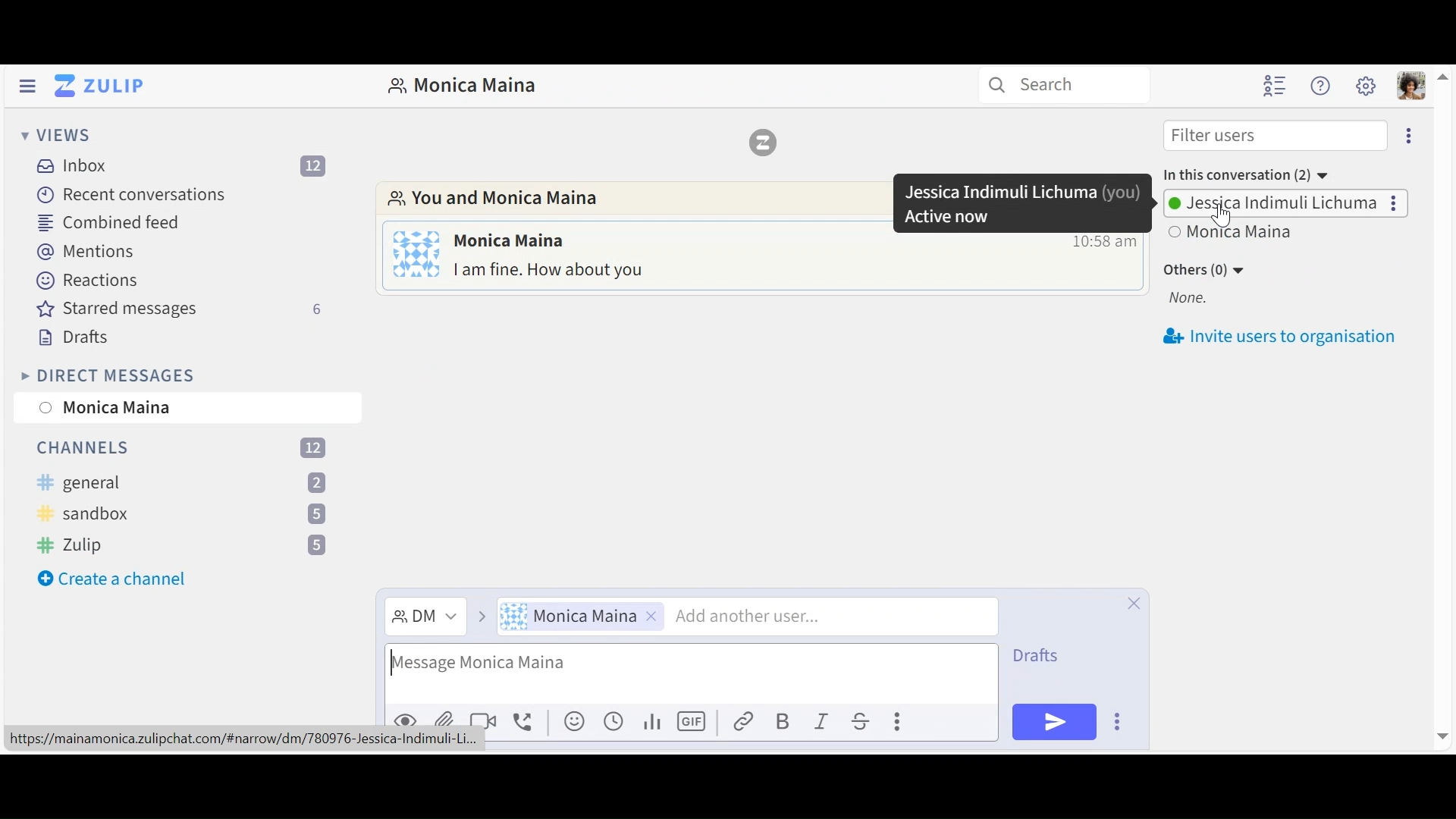 This screenshot has height=819, width=1456. What do you see at coordinates (1321, 85) in the screenshot?
I see `Help user` at bounding box center [1321, 85].